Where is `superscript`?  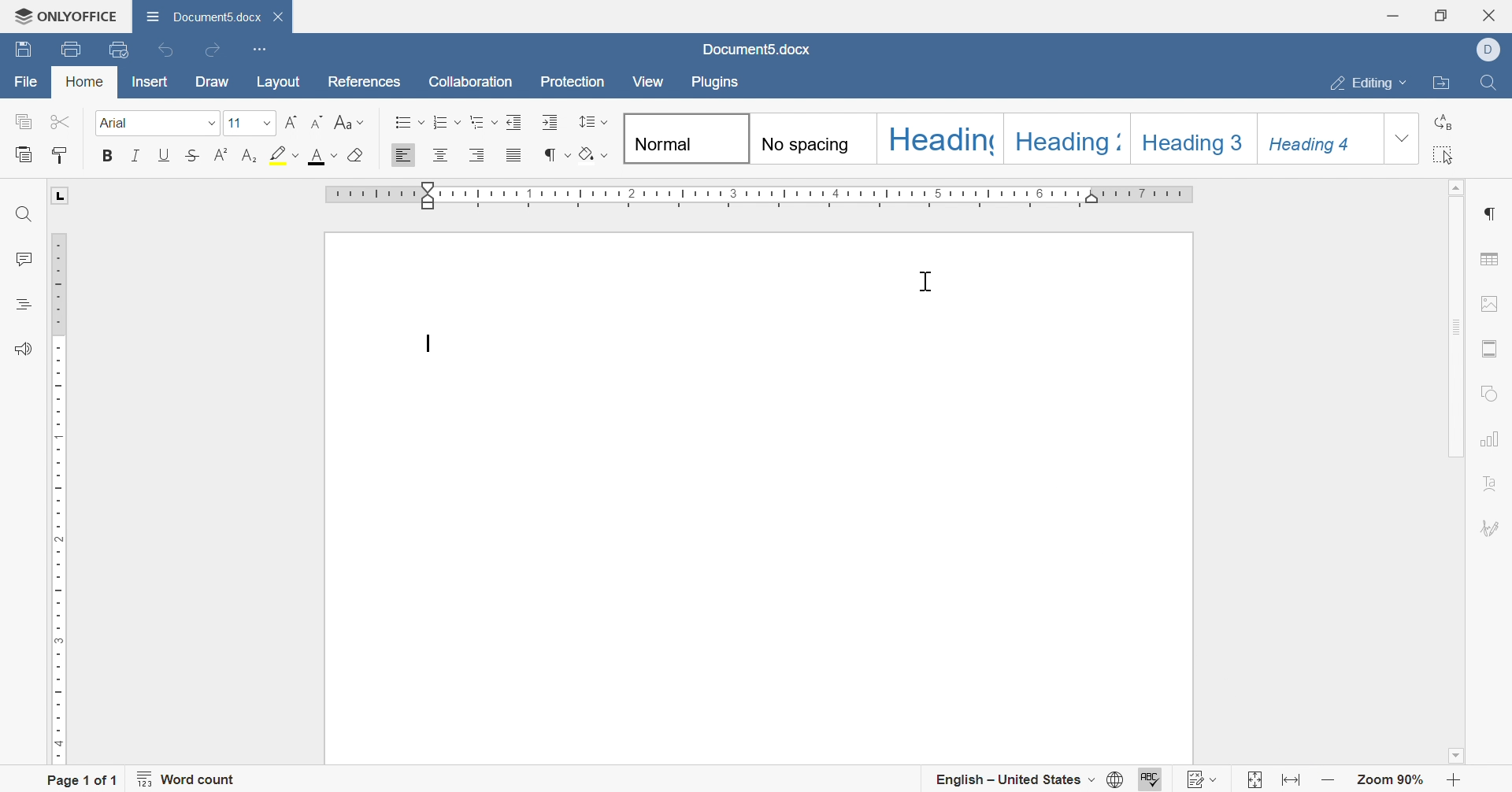
superscript is located at coordinates (220, 157).